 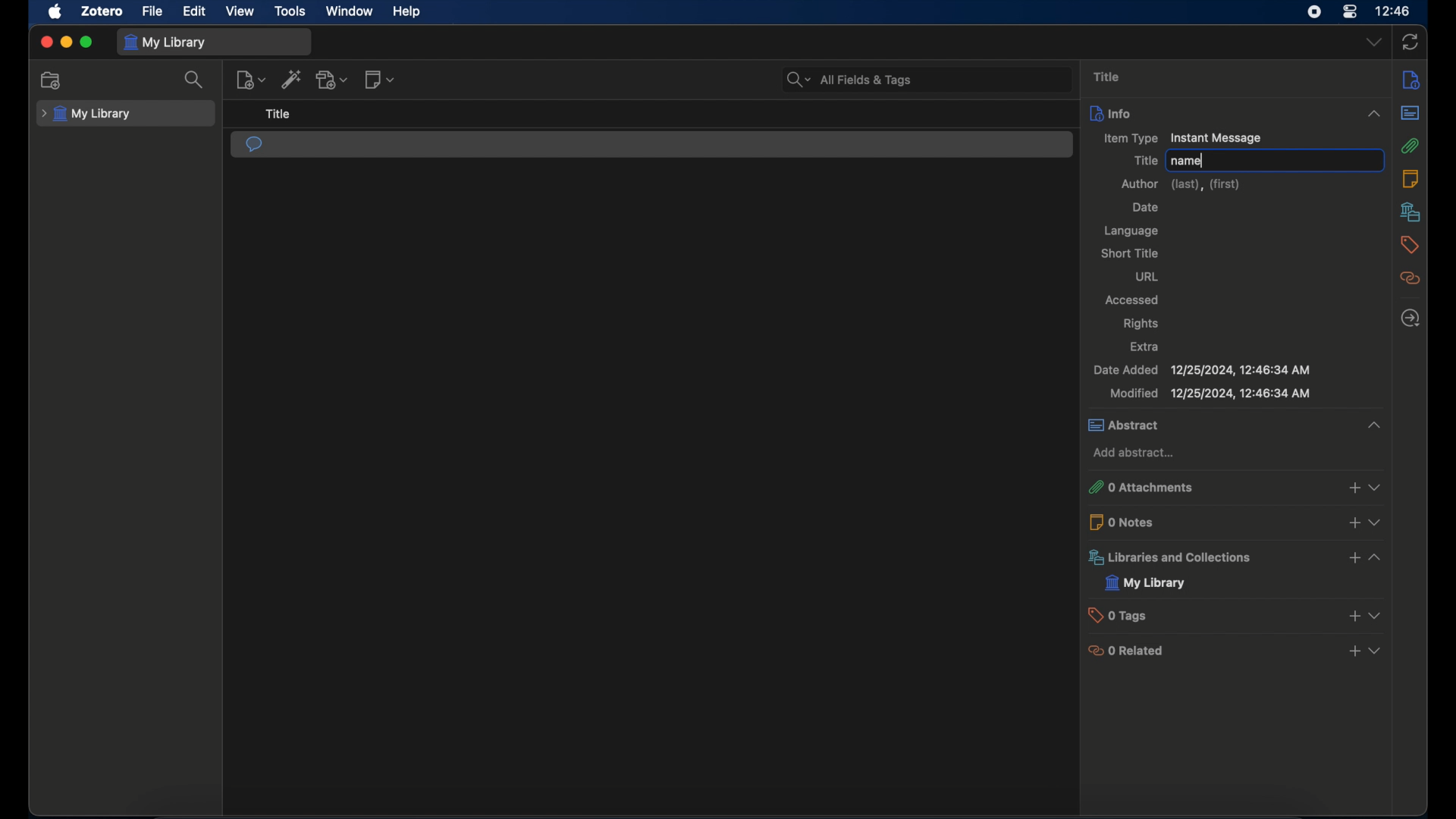 What do you see at coordinates (1411, 146) in the screenshot?
I see `attachments` at bounding box center [1411, 146].